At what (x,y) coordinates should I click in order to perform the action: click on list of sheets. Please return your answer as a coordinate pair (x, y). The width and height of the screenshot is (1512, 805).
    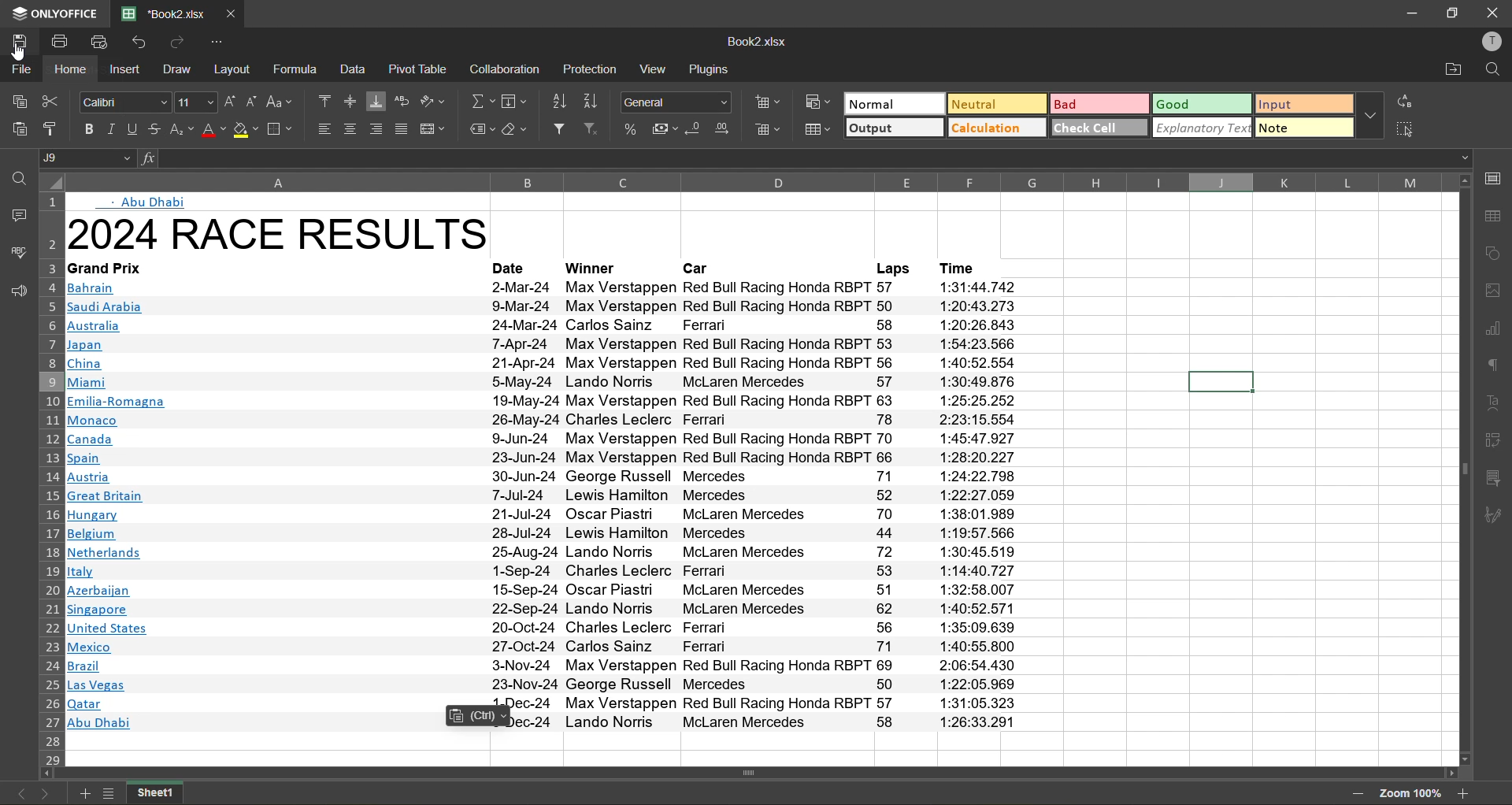
    Looking at the image, I should click on (107, 794).